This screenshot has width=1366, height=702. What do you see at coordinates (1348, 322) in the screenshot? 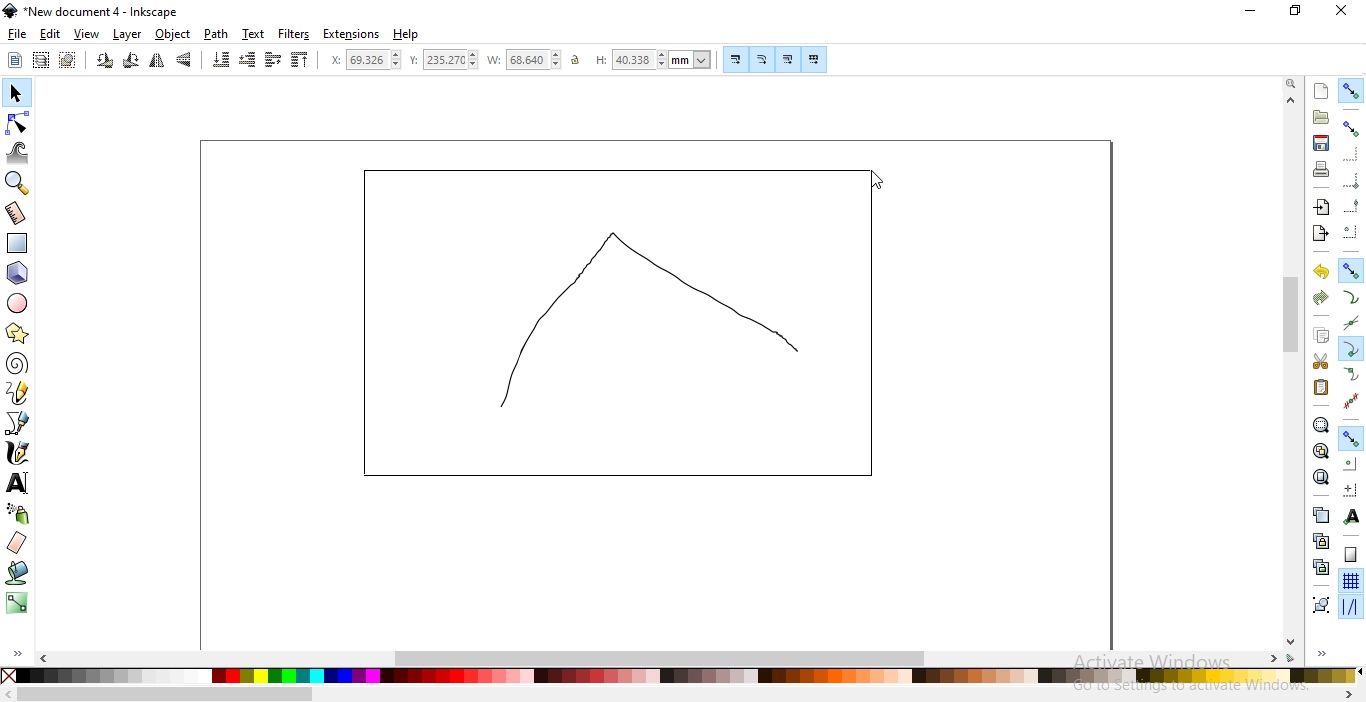
I see `snap to path intersections` at bounding box center [1348, 322].